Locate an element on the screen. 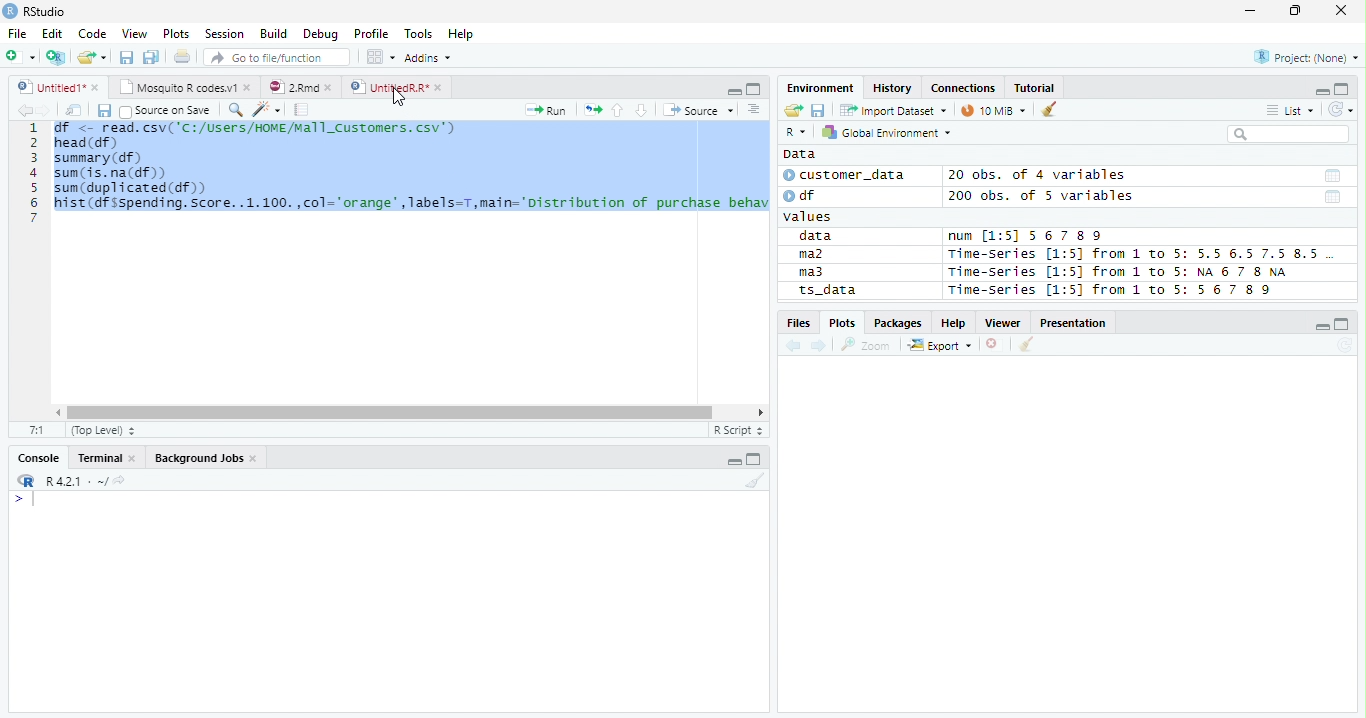  Row Number is located at coordinates (33, 172).